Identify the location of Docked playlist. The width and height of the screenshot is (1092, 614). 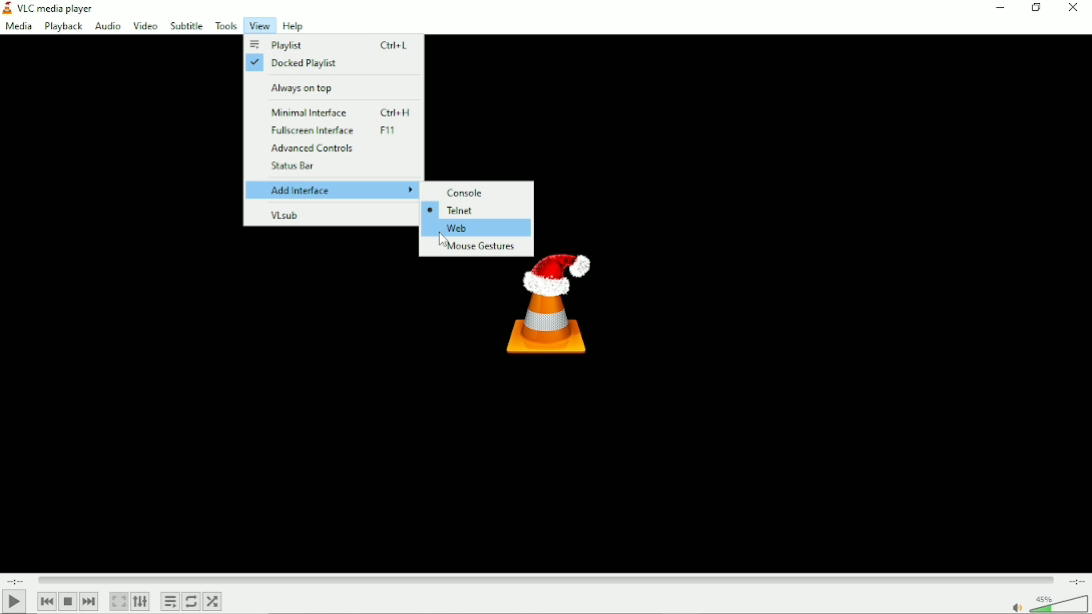
(296, 63).